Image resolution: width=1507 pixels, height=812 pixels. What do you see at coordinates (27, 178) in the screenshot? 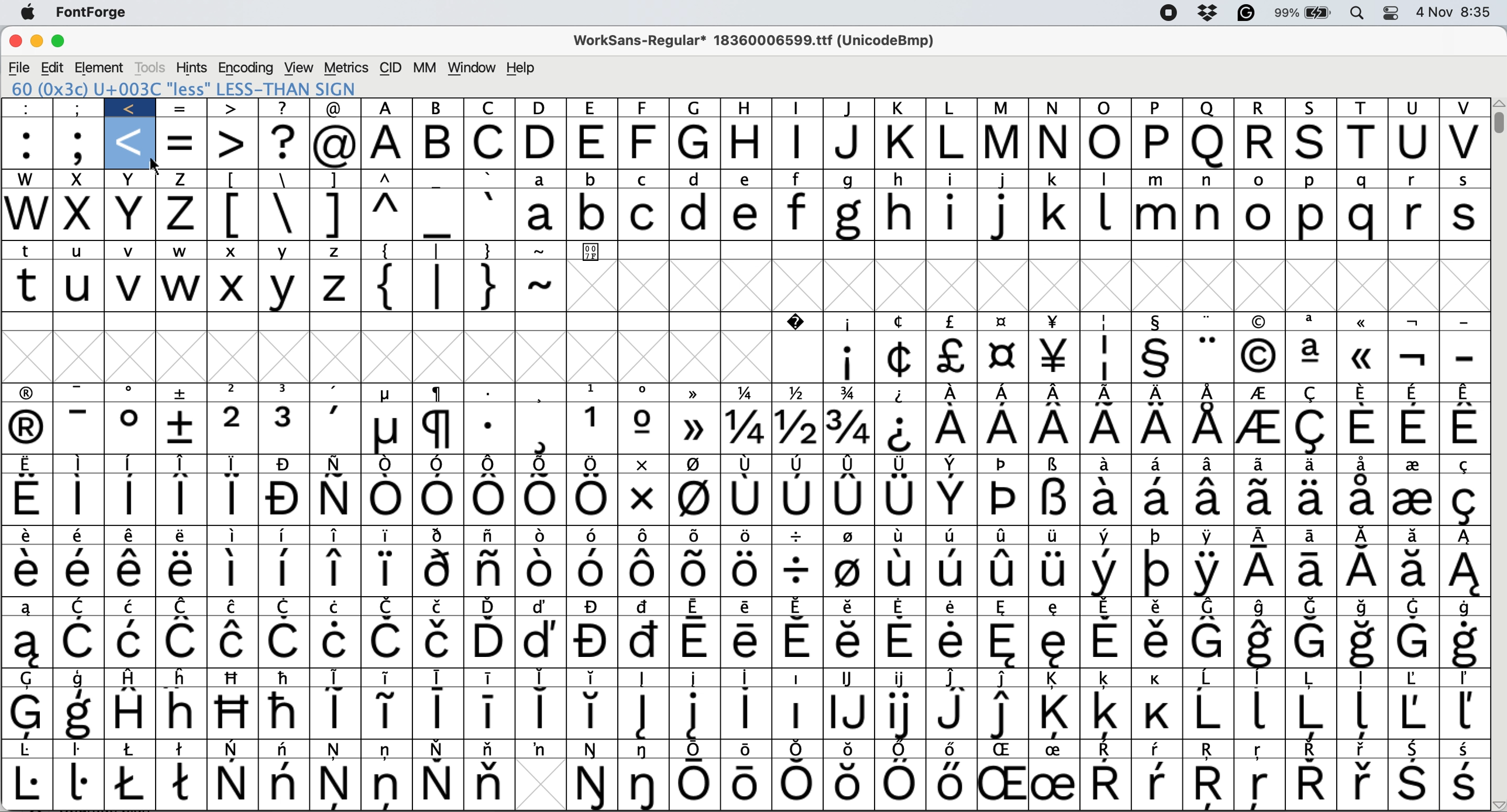
I see `w` at bounding box center [27, 178].